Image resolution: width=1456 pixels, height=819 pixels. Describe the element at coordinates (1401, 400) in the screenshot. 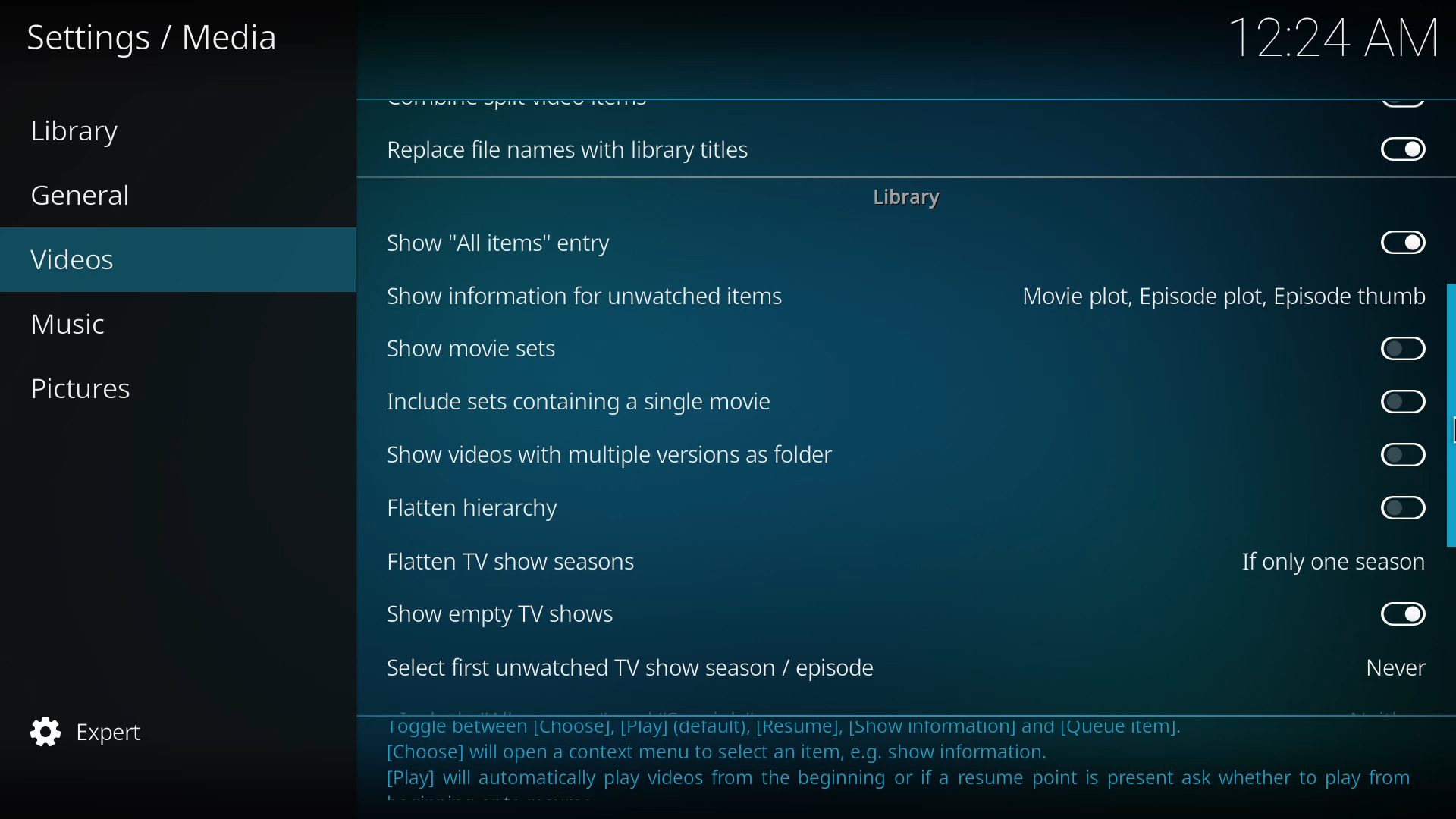

I see `click to enable` at that location.